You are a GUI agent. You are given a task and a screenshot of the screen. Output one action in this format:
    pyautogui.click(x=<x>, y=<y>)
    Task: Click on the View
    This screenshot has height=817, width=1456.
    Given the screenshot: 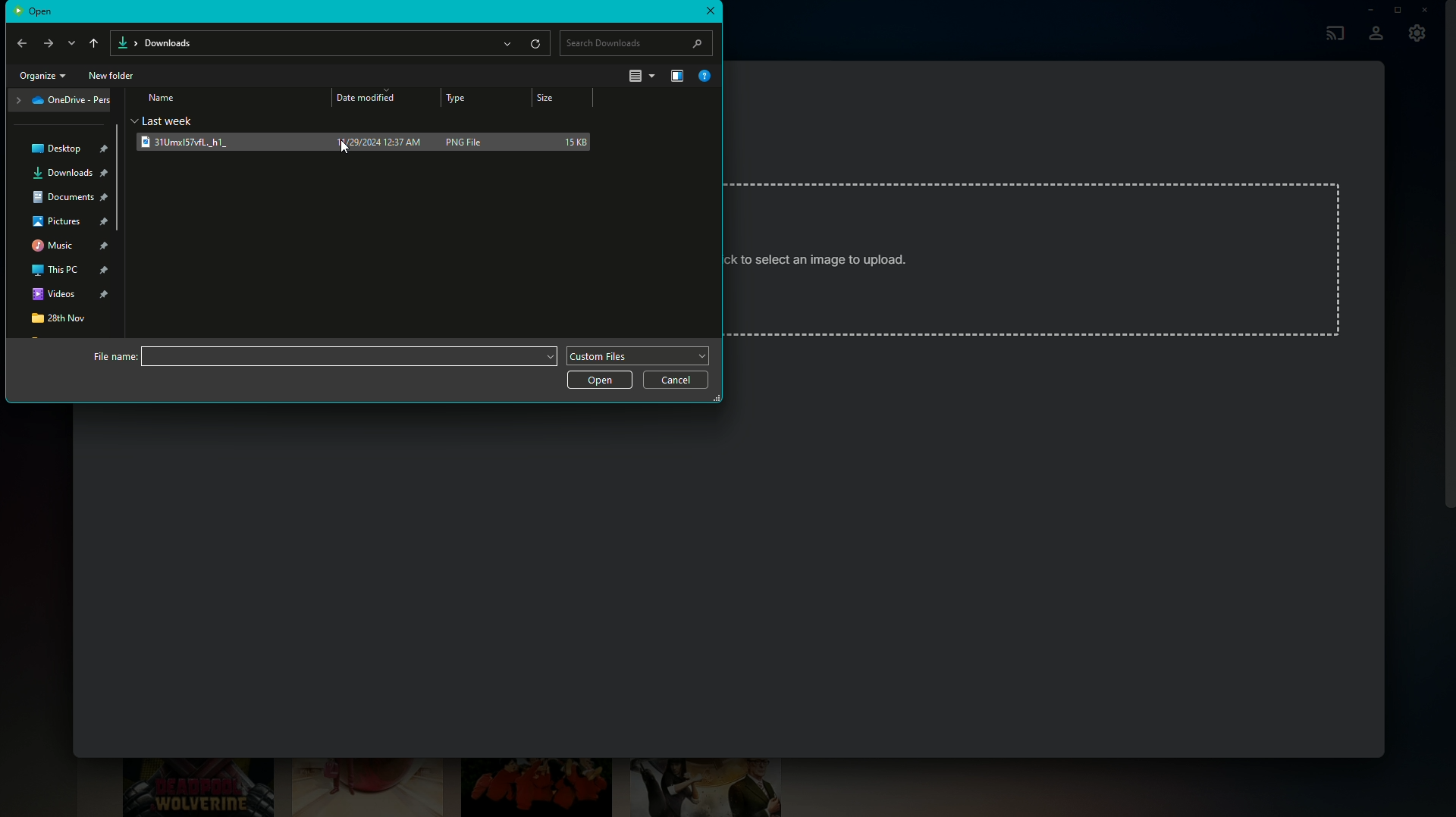 What is the action you would take?
    pyautogui.click(x=673, y=75)
    